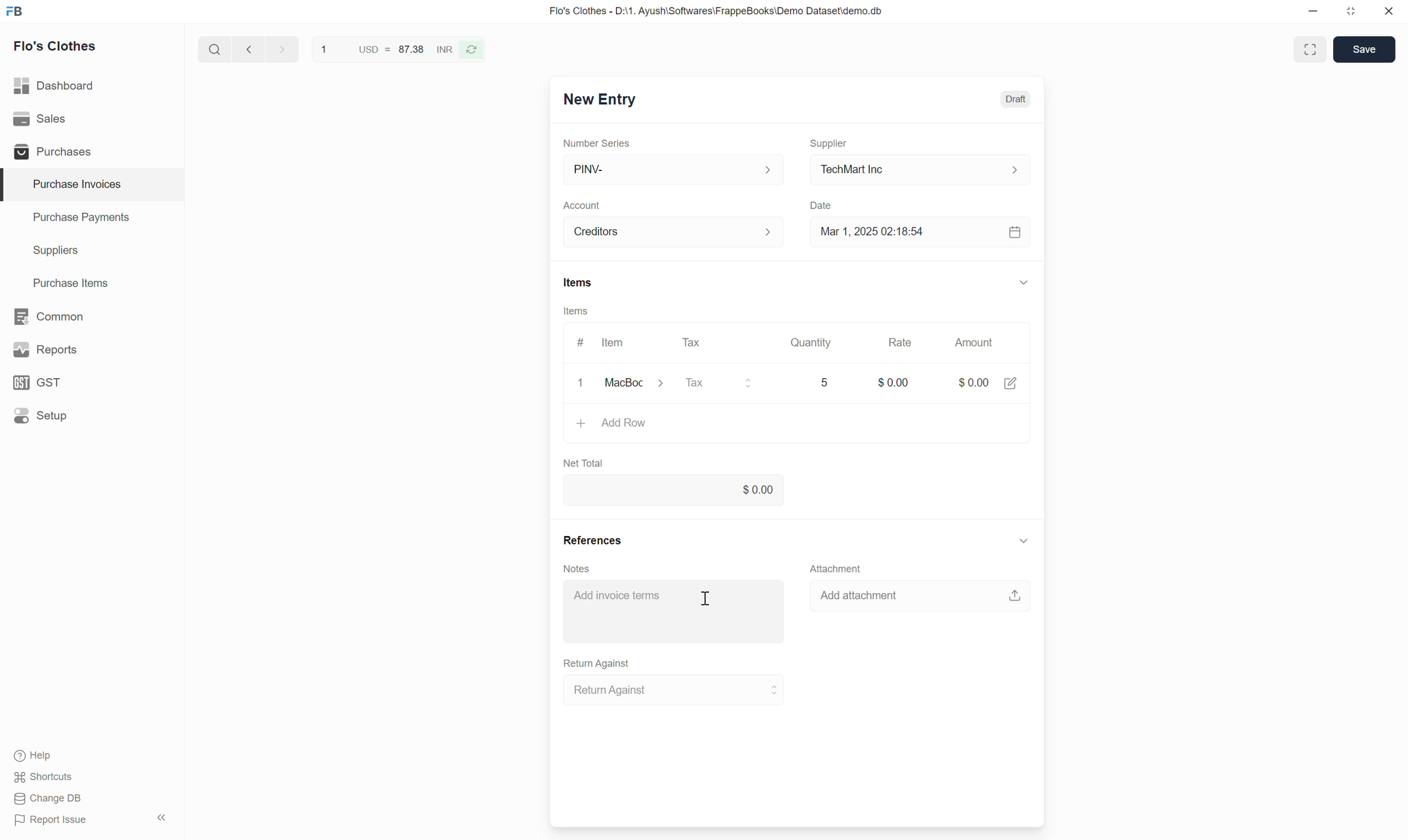 The height and width of the screenshot is (840, 1408). What do you see at coordinates (1313, 11) in the screenshot?
I see `Minimize` at bounding box center [1313, 11].